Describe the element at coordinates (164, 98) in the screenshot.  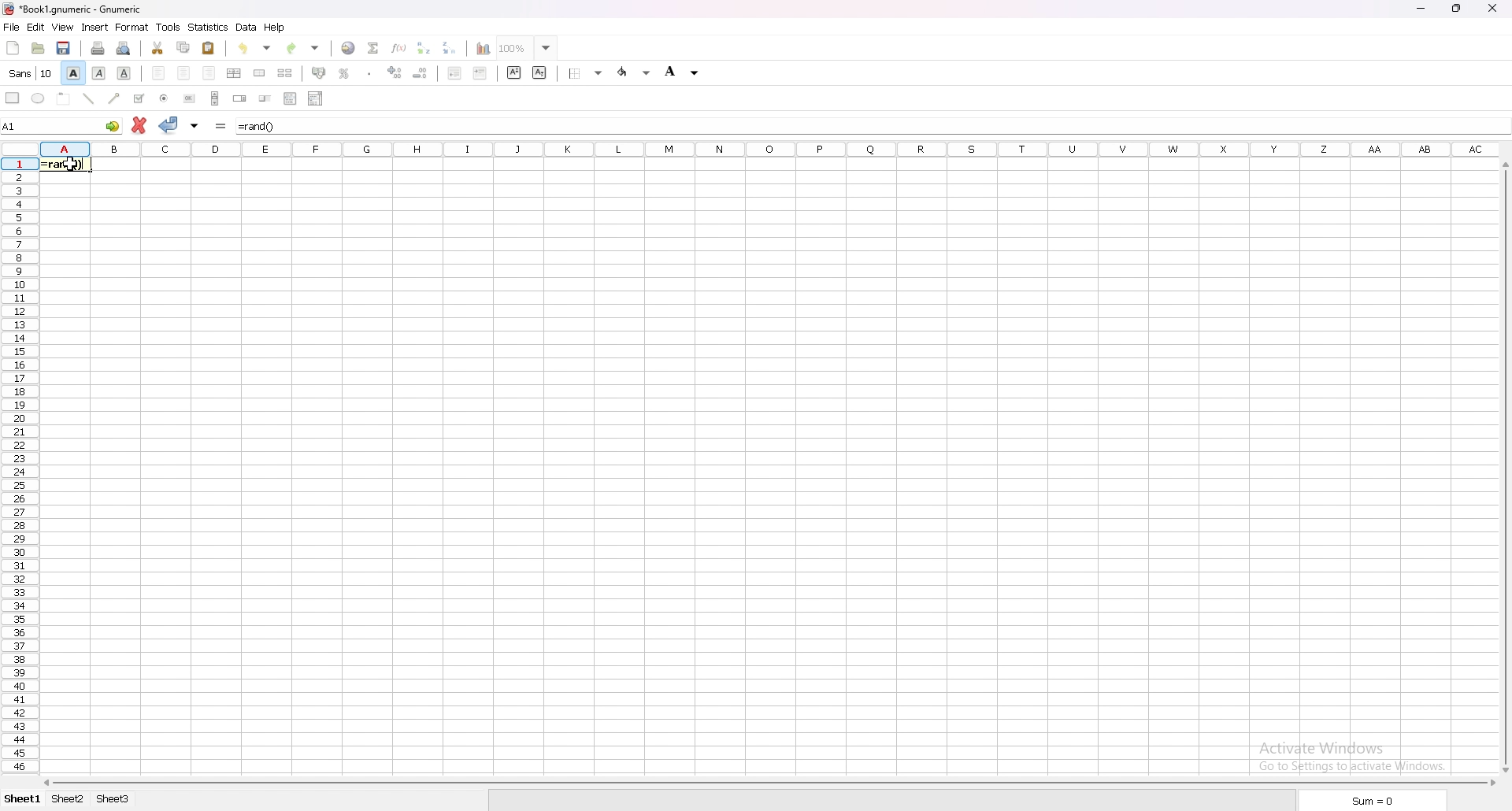
I see `radio button` at that location.